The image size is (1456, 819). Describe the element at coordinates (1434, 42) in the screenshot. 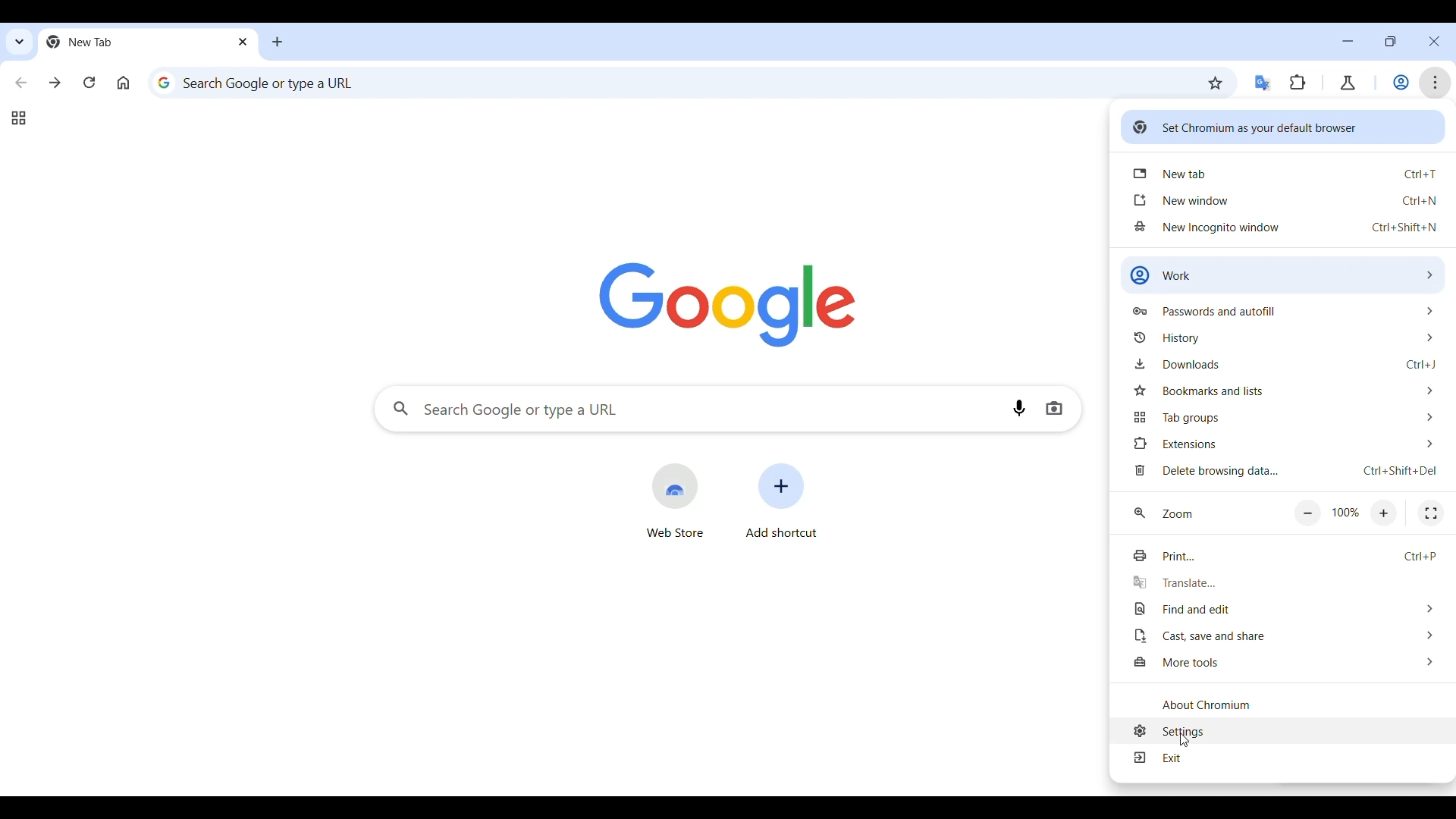

I see `Close interface` at that location.